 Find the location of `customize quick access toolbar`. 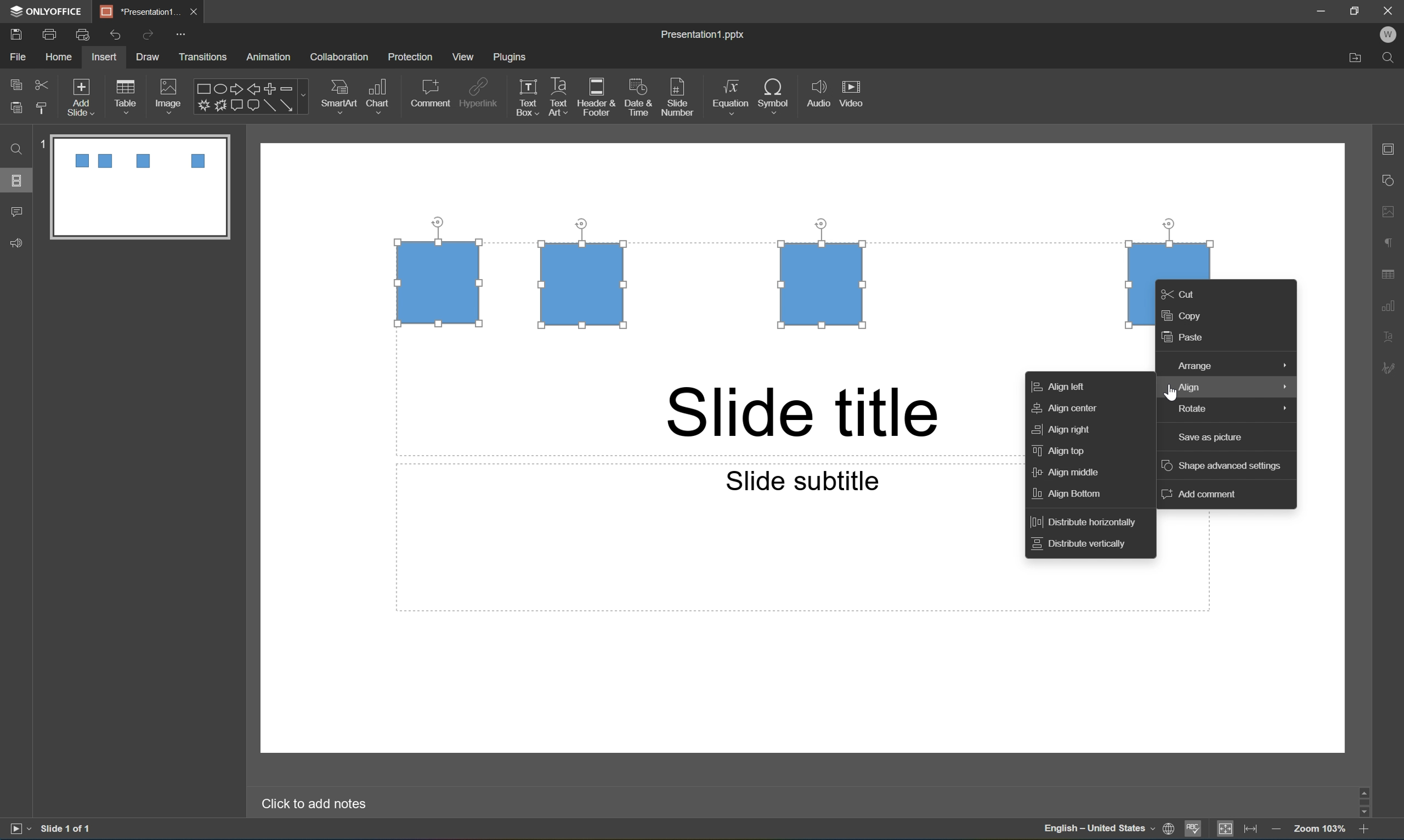

customize quick access toolbar is located at coordinates (181, 33).